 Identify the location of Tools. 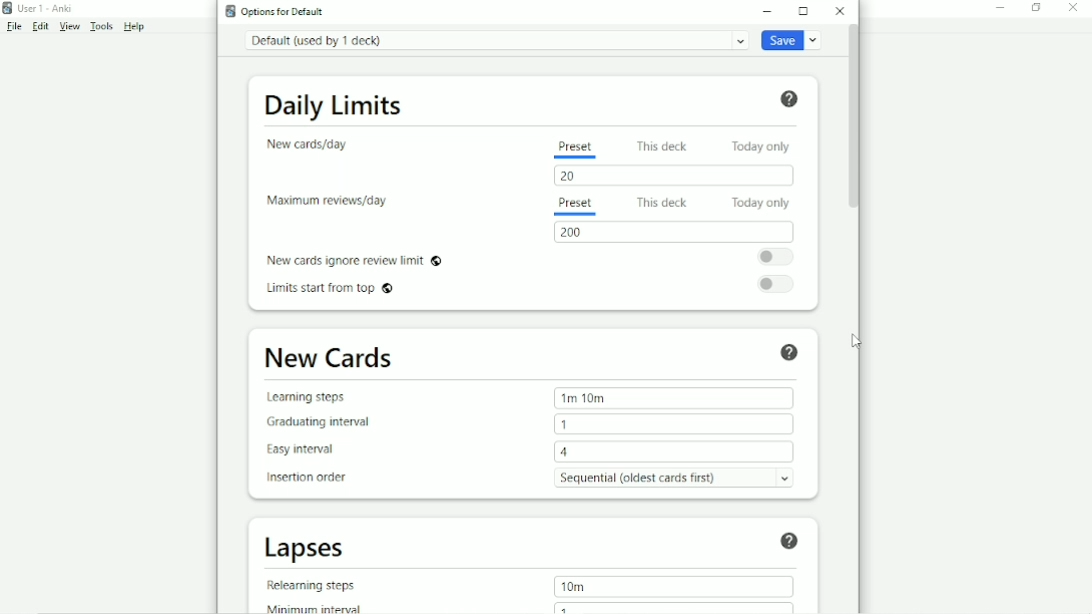
(101, 26).